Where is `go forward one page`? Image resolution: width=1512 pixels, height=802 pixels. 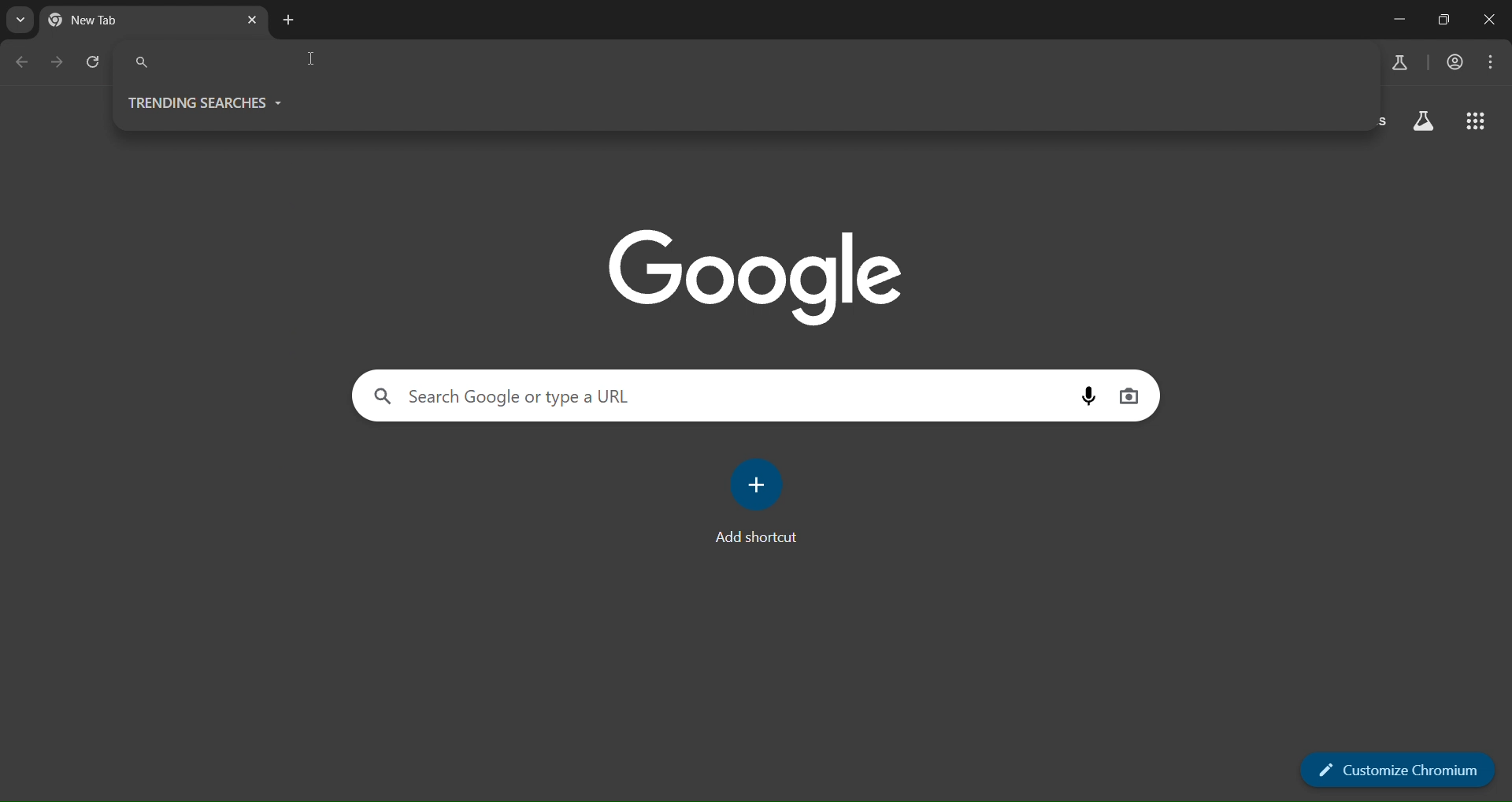 go forward one page is located at coordinates (53, 61).